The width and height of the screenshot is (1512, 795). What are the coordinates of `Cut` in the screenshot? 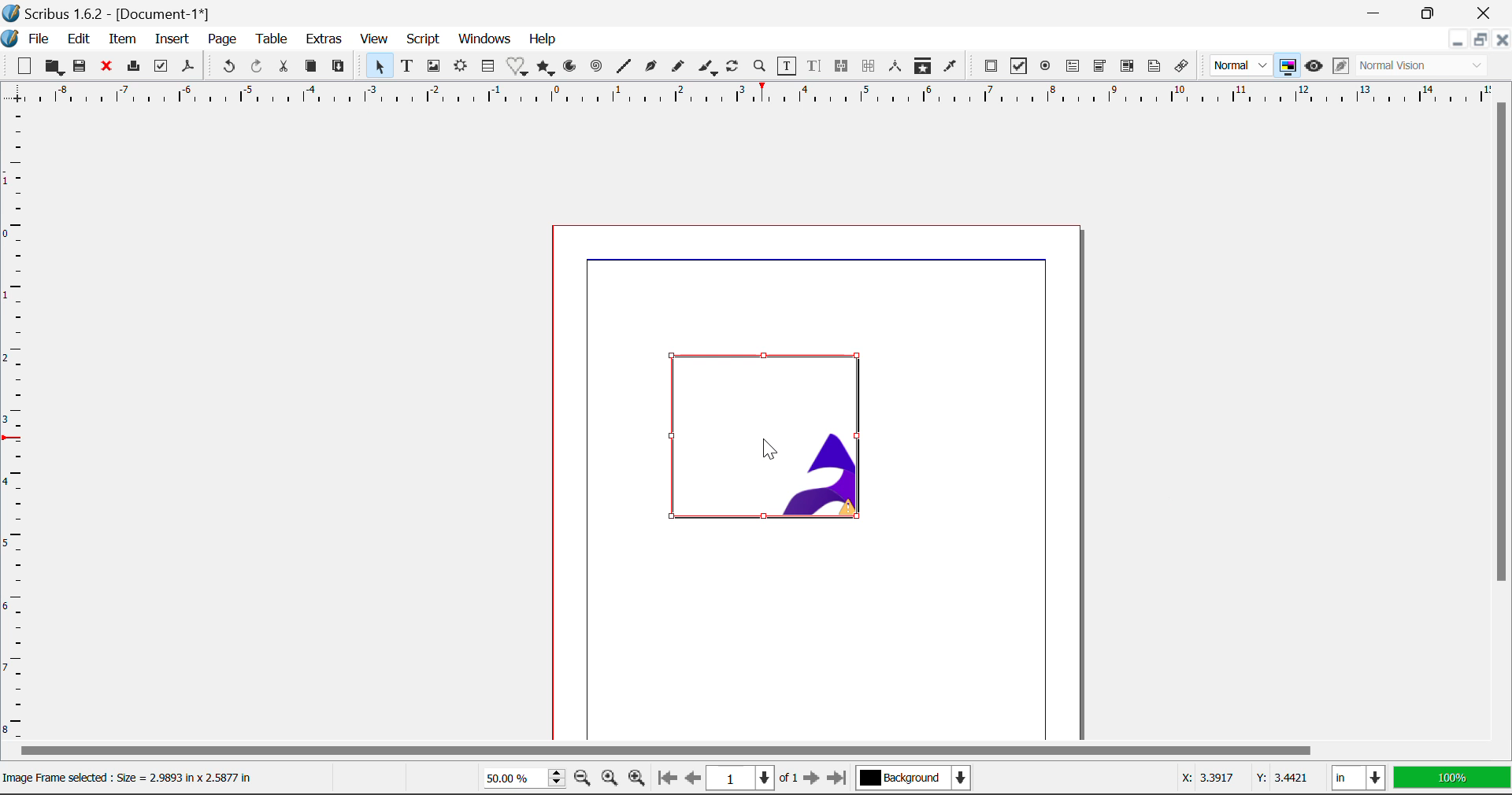 It's located at (283, 67).